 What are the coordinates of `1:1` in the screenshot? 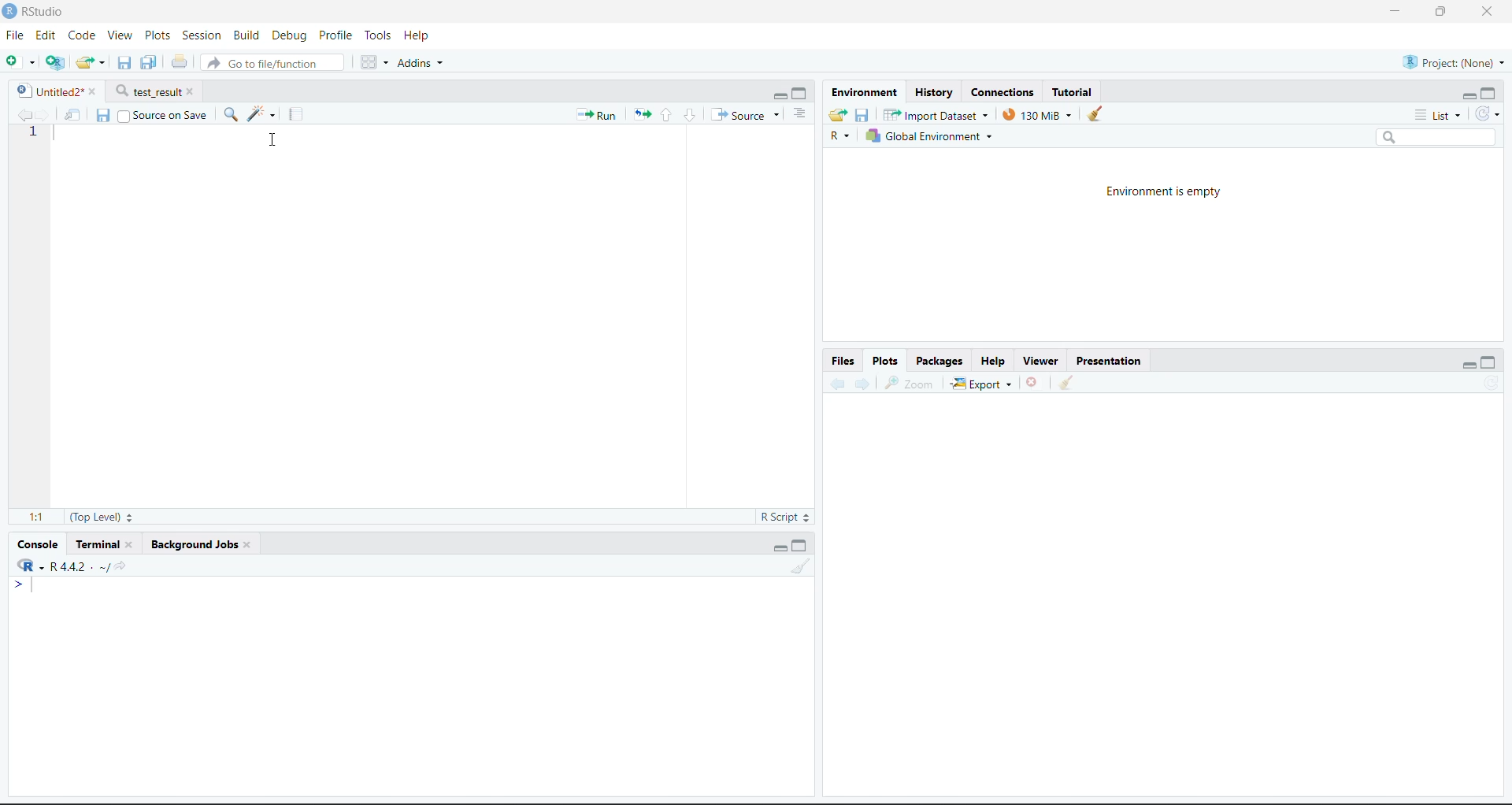 It's located at (37, 517).